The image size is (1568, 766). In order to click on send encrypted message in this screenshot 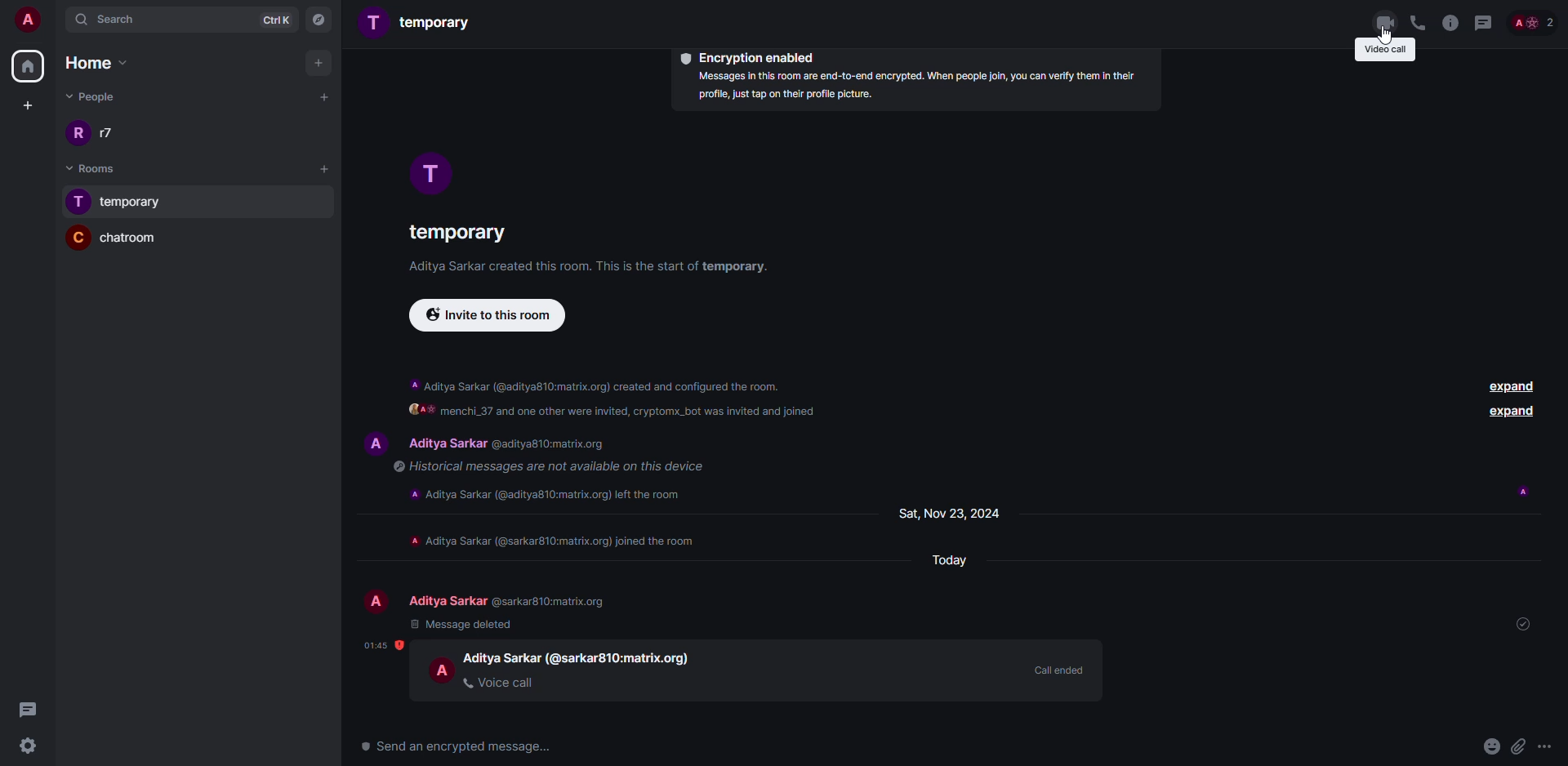, I will do `click(459, 744)`.